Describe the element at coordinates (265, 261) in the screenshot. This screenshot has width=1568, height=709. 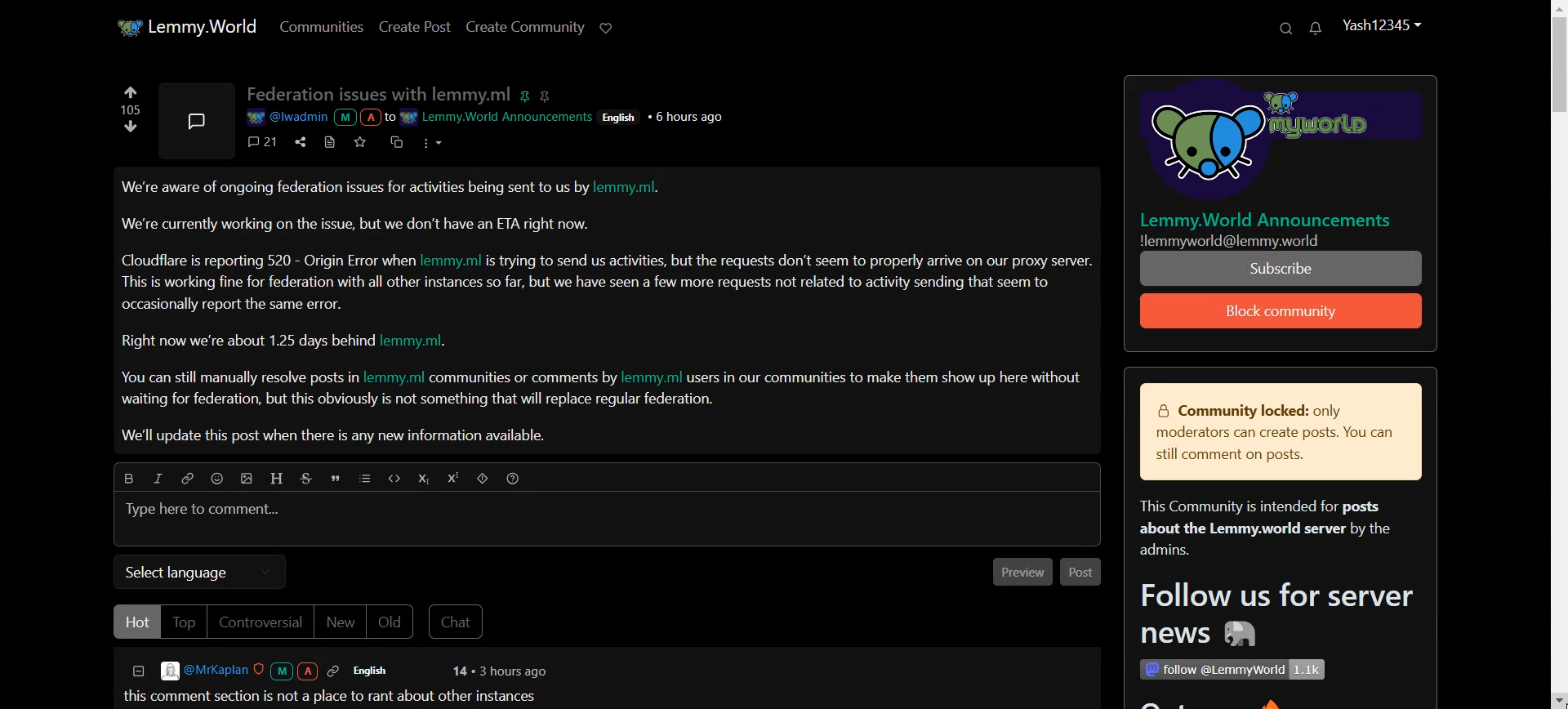
I see `Cloudflare is reporting 520 - Origin Error wher` at that location.